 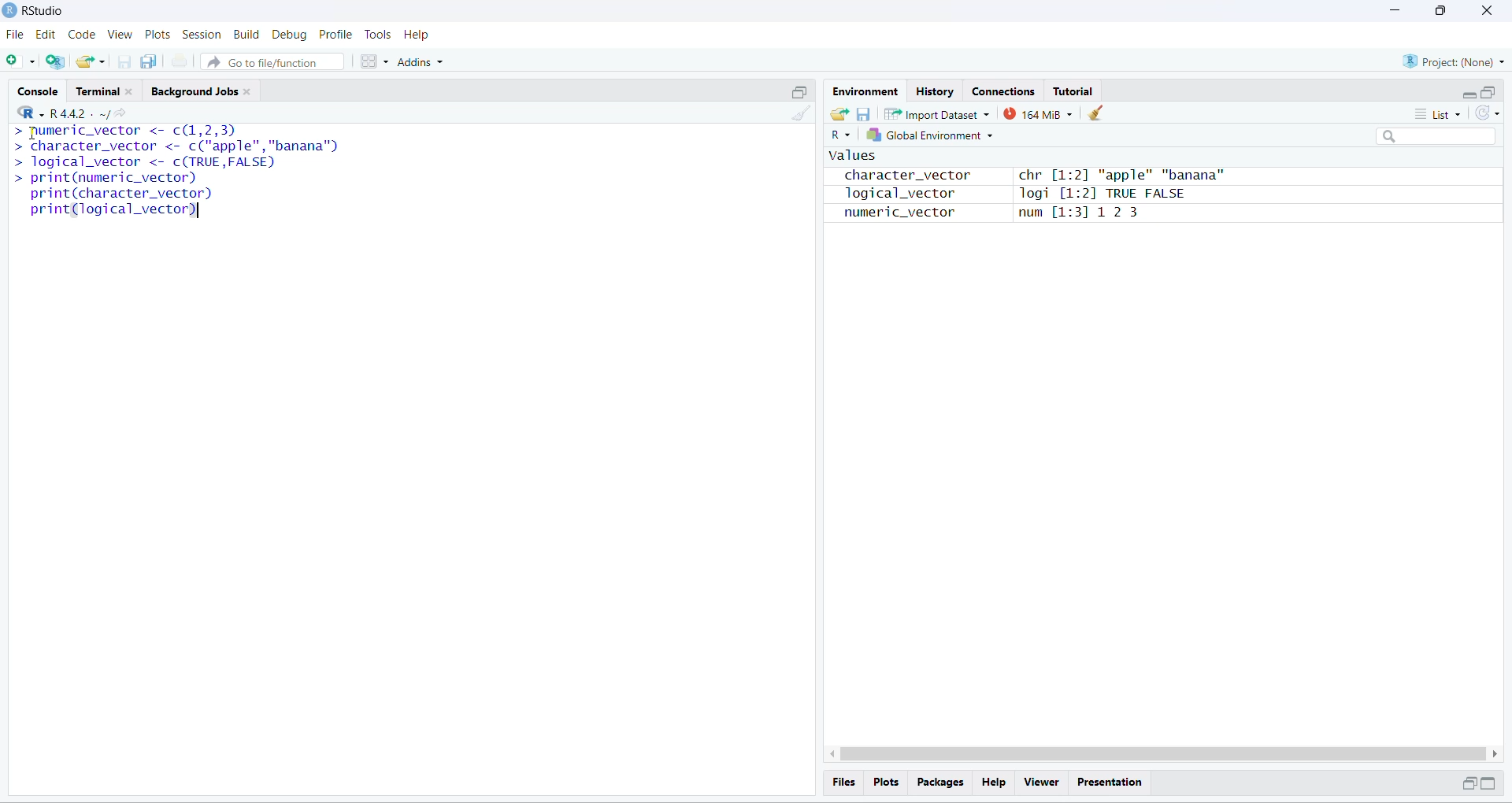 I want to click on global Environment, so click(x=929, y=135).